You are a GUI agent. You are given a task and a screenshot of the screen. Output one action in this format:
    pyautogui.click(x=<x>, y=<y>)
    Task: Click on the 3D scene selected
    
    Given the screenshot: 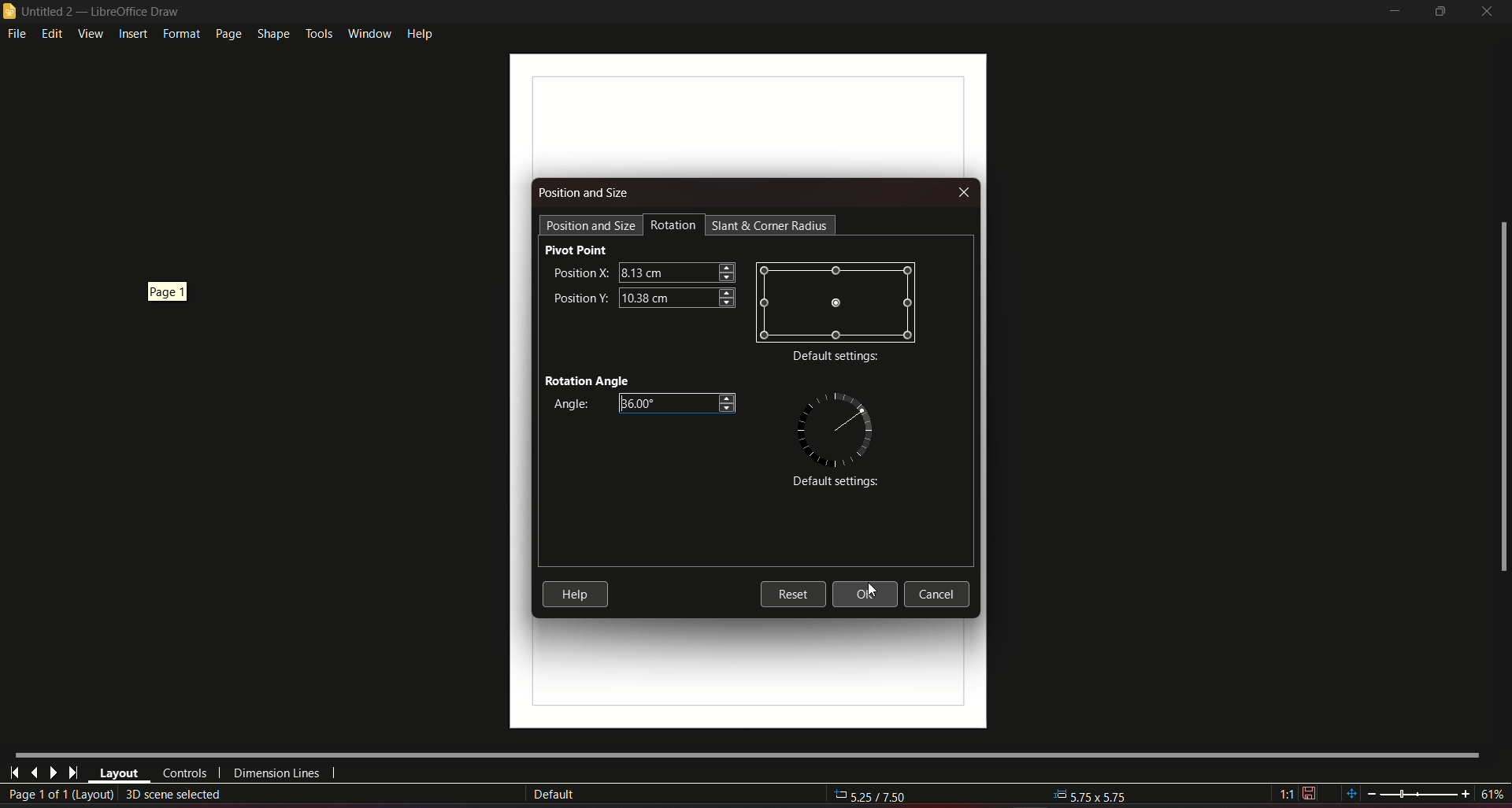 What is the action you would take?
    pyautogui.click(x=175, y=794)
    